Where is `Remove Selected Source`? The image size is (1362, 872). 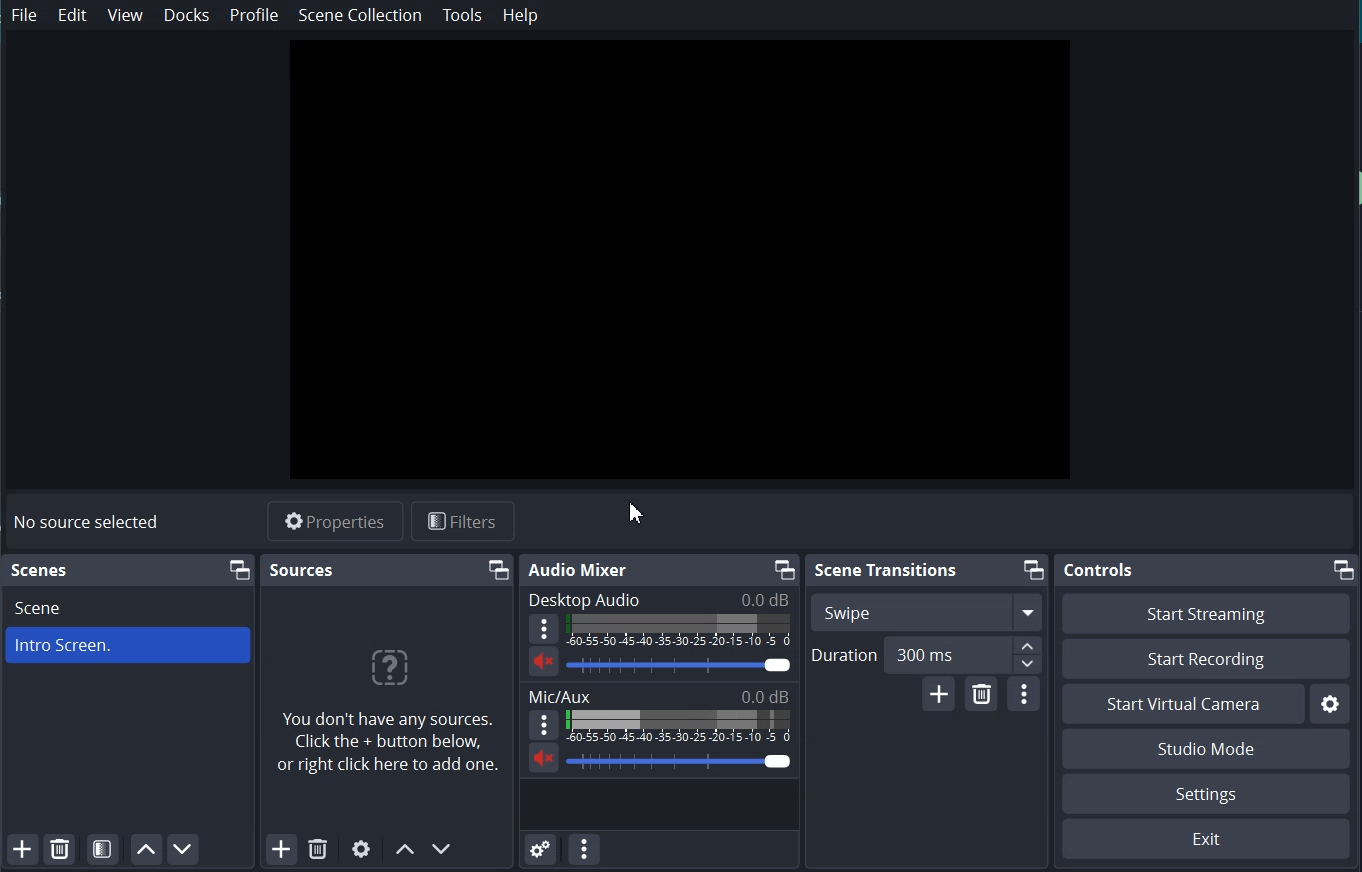
Remove Selected Source is located at coordinates (317, 850).